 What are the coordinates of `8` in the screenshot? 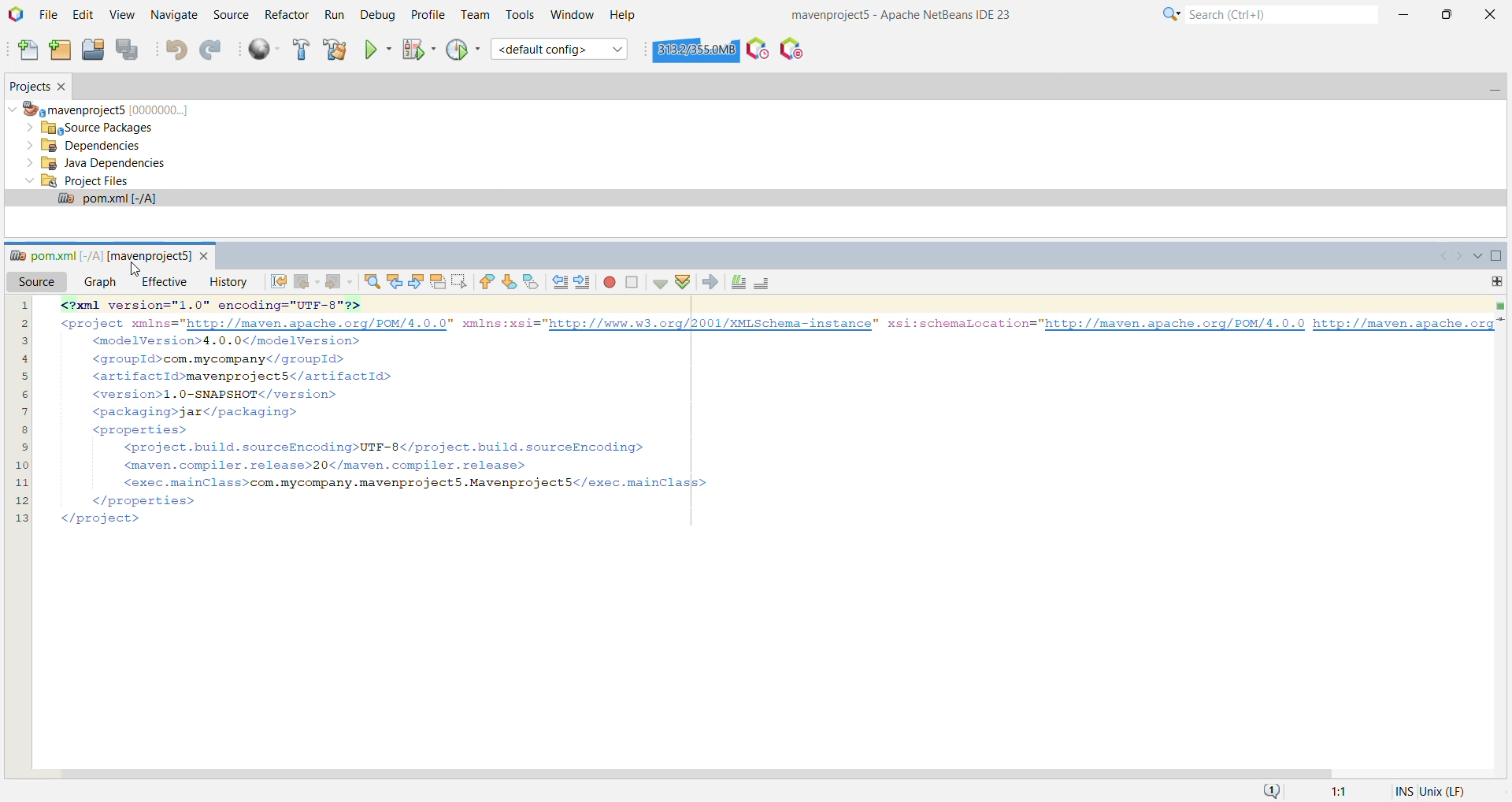 It's located at (22, 428).